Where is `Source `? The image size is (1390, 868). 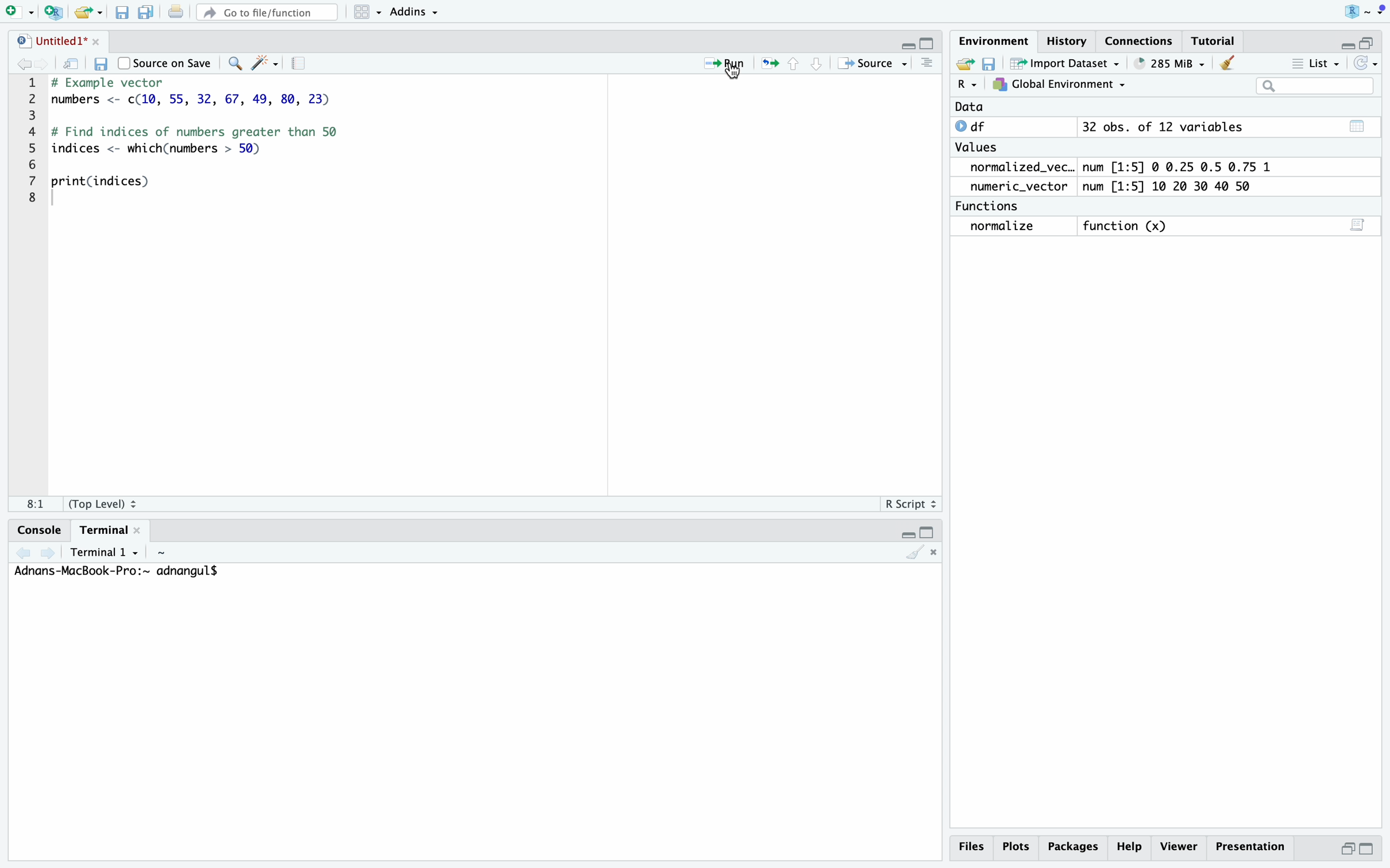
Source  is located at coordinates (875, 63).